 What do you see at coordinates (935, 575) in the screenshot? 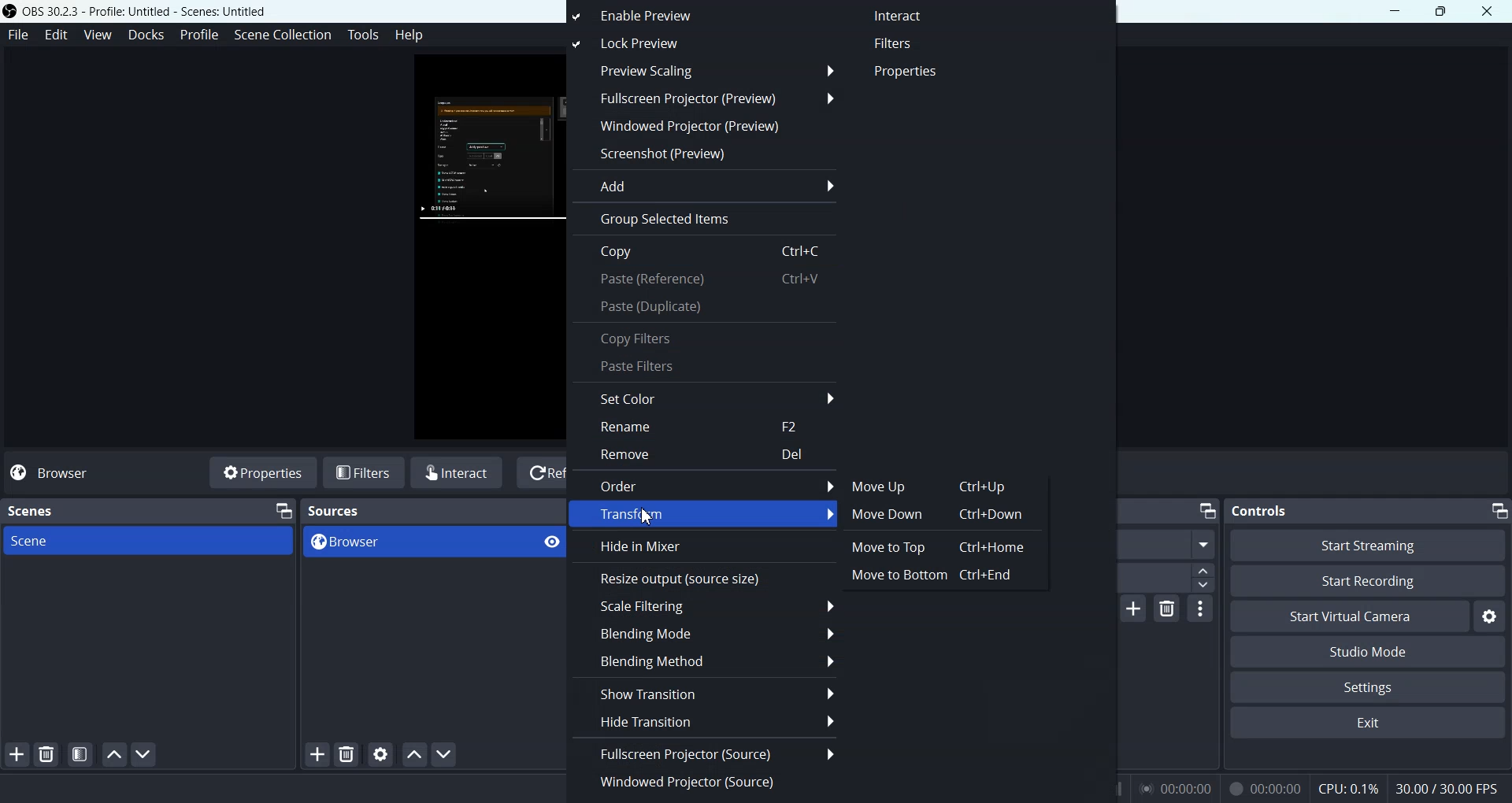
I see `Move to Bottom` at bounding box center [935, 575].